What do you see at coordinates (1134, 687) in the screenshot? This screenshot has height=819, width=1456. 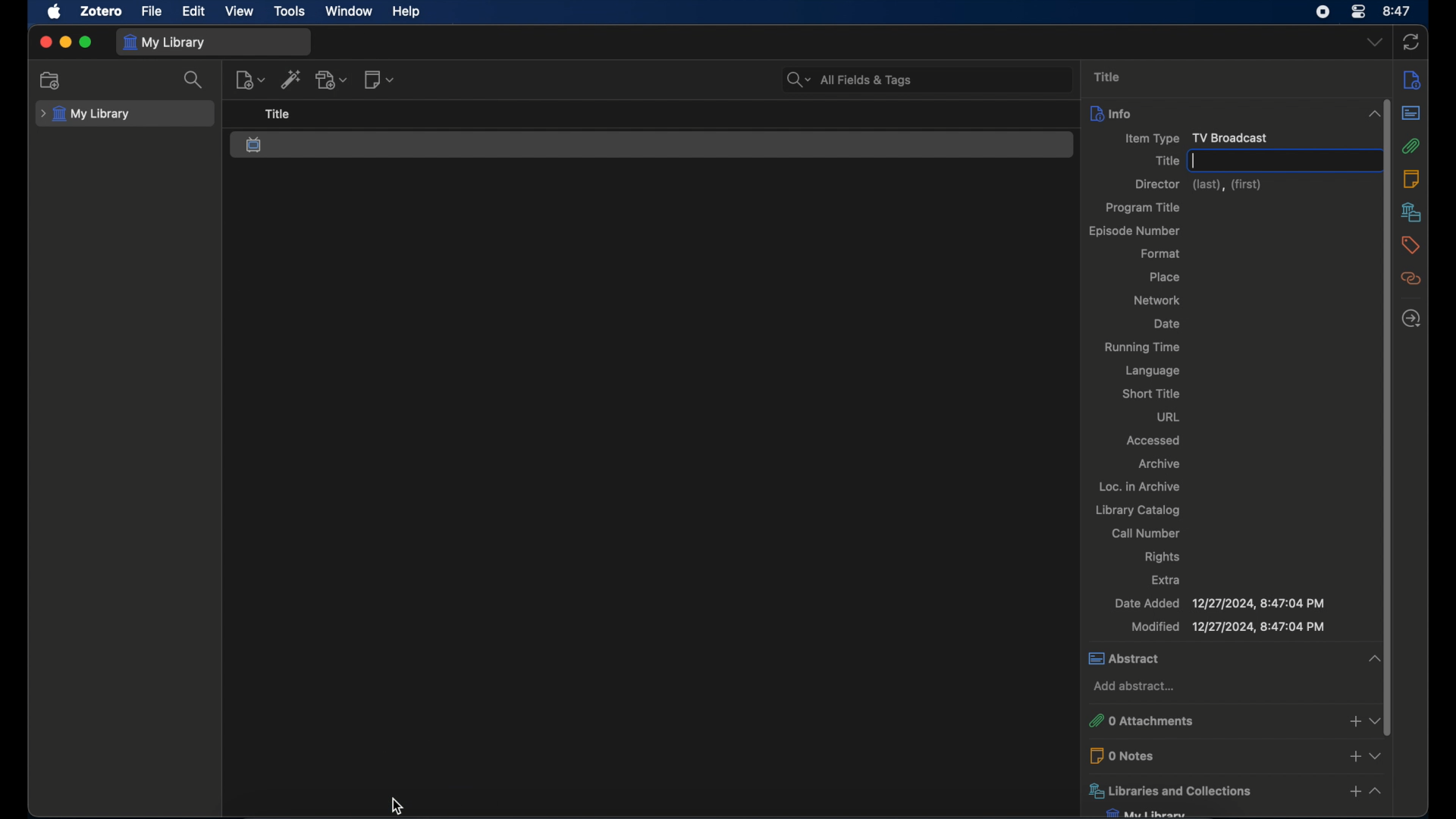 I see `add abstract` at bounding box center [1134, 687].